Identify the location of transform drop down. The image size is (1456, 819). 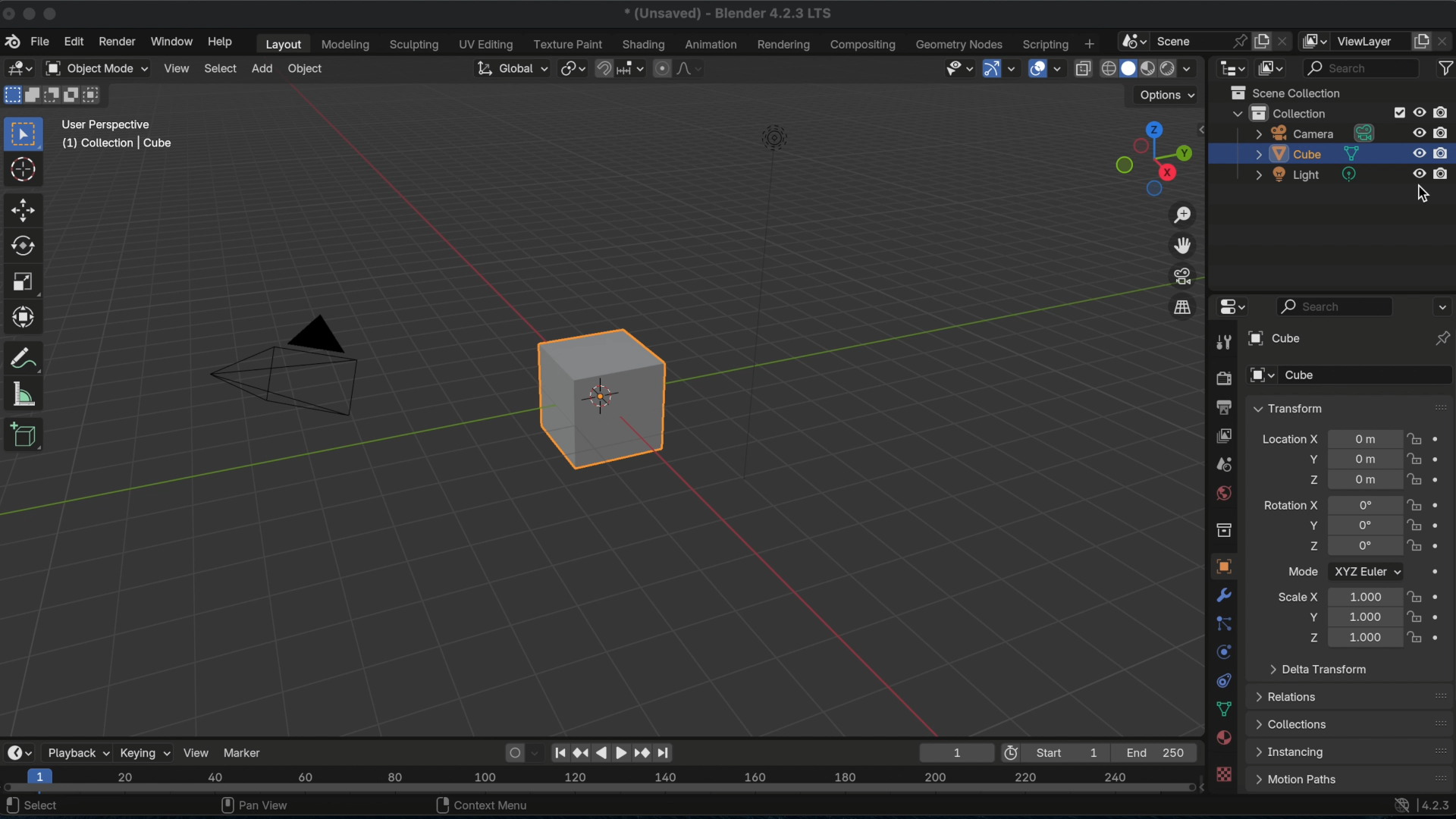
(1288, 408).